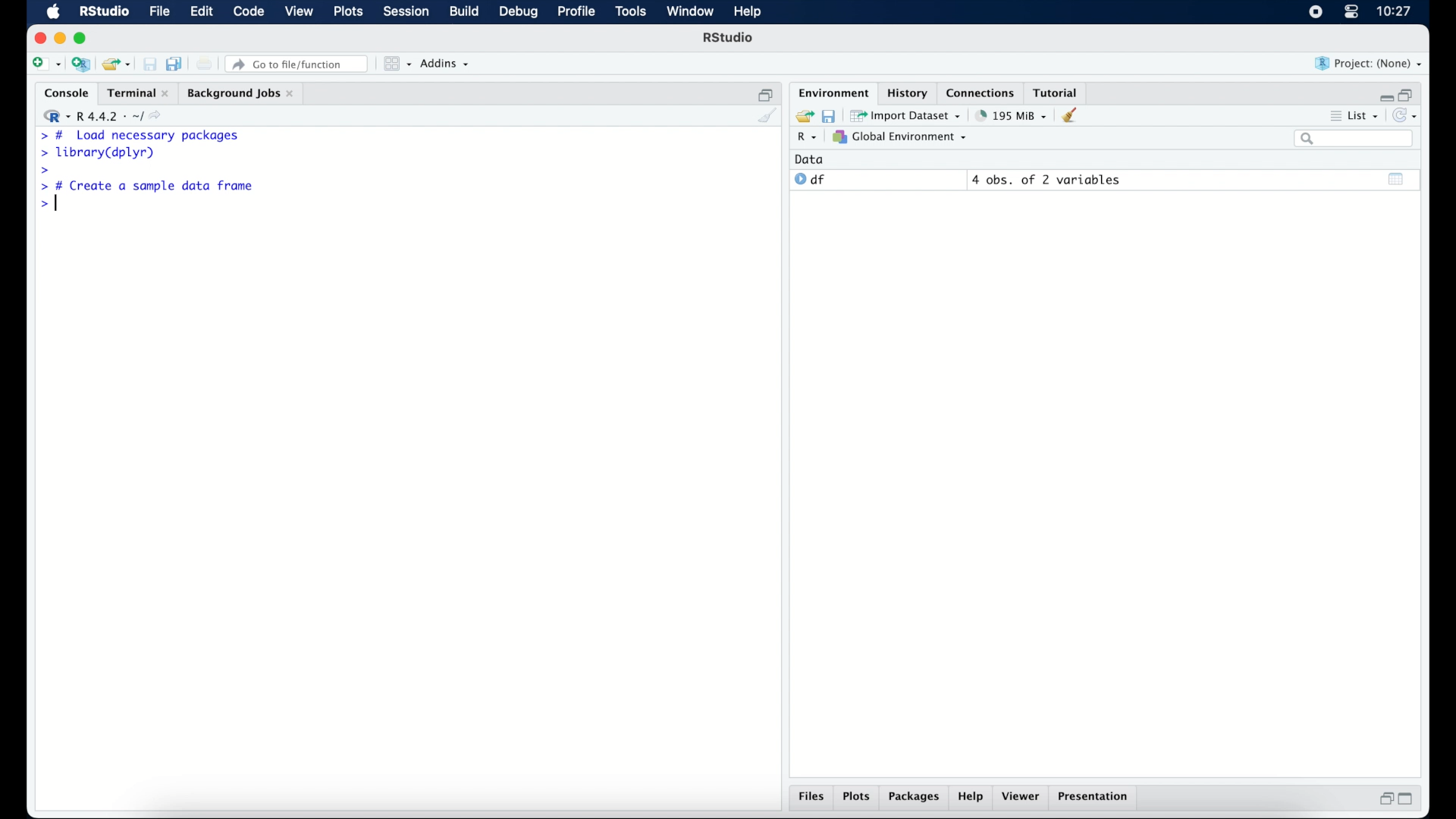  I want to click on files, so click(811, 799).